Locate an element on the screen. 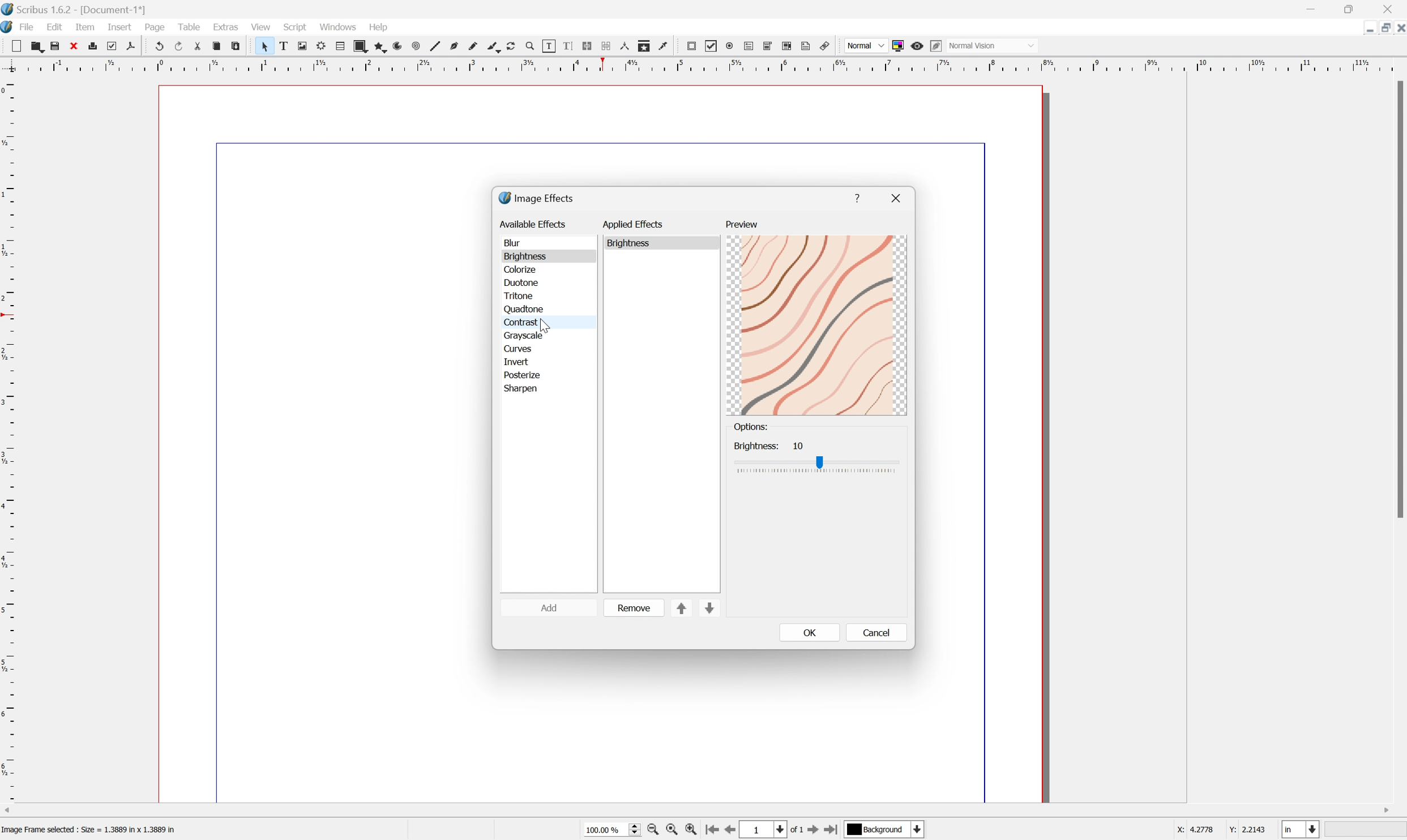 Image resolution: width=1407 pixels, height=840 pixels. PDF push button is located at coordinates (693, 47).